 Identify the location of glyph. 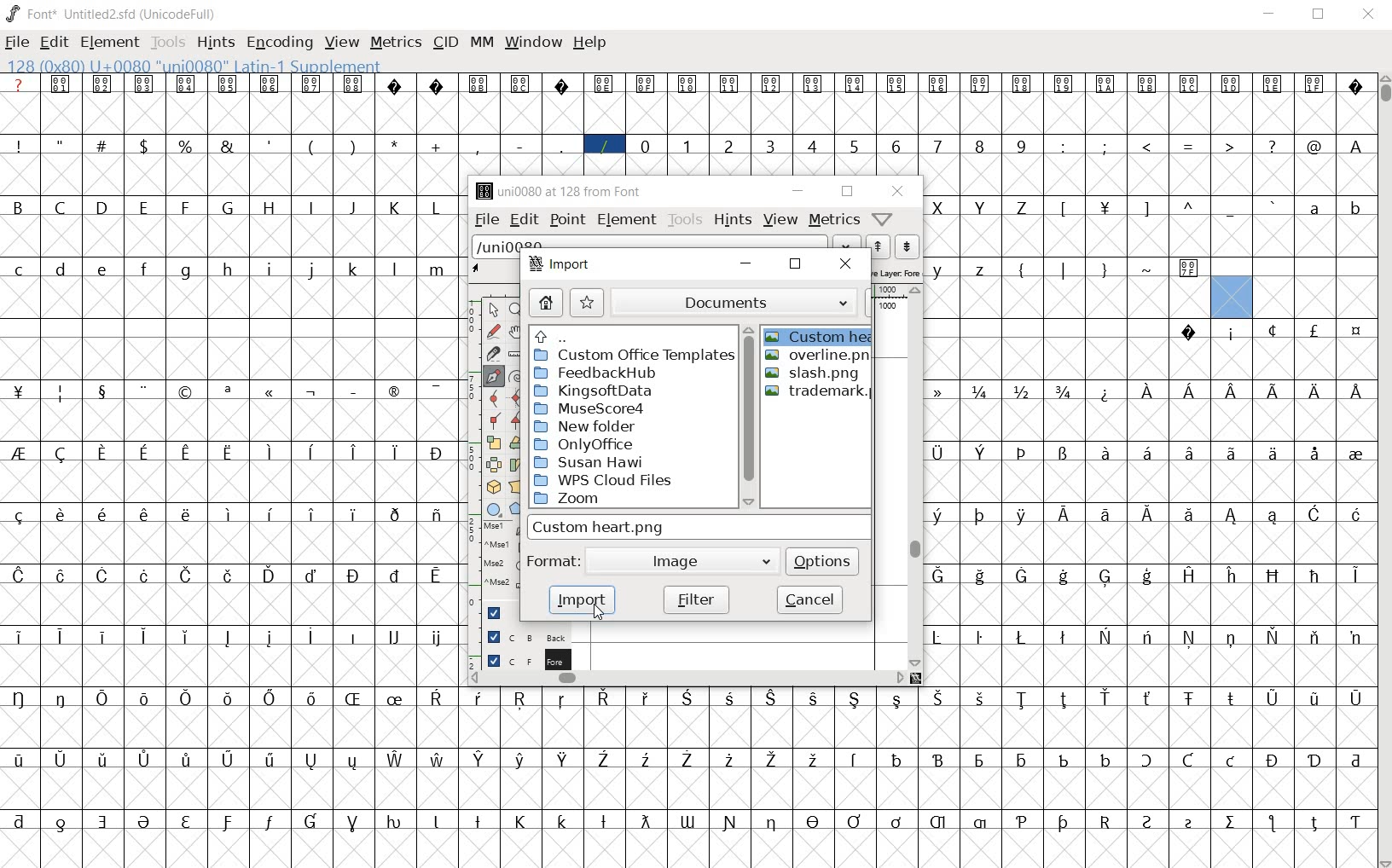
(478, 821).